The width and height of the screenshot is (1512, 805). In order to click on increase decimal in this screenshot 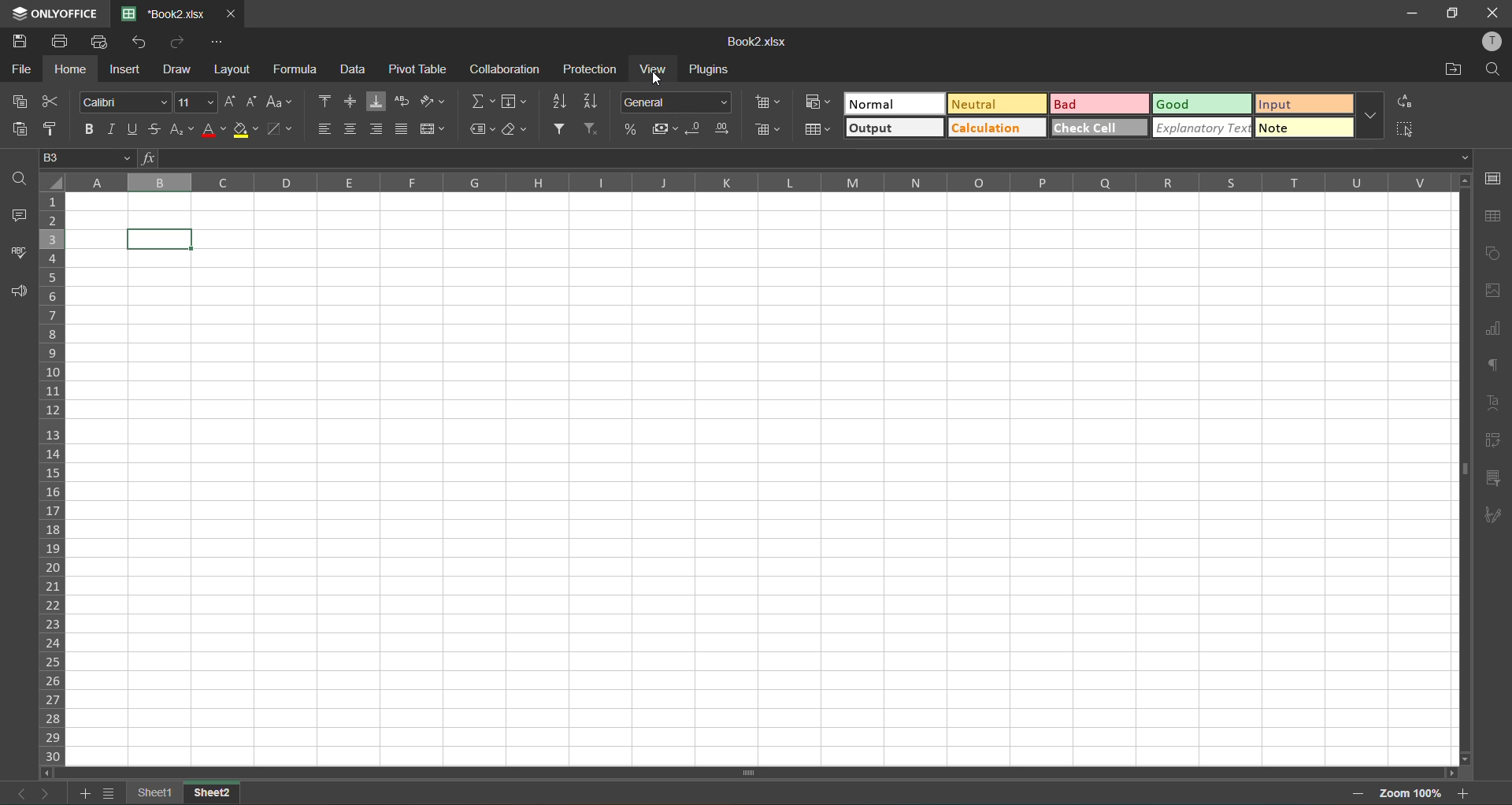, I will do `click(727, 132)`.